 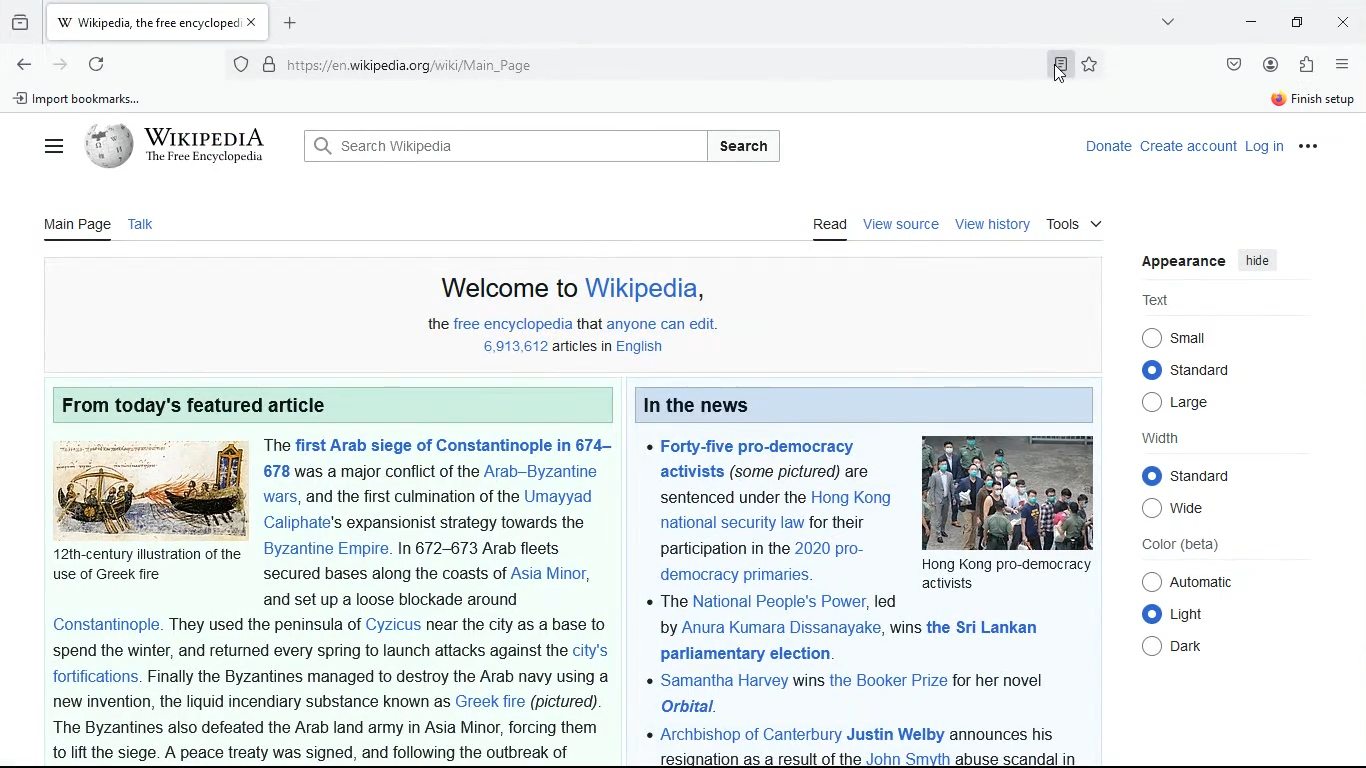 What do you see at coordinates (1344, 22) in the screenshot?
I see `close` at bounding box center [1344, 22].